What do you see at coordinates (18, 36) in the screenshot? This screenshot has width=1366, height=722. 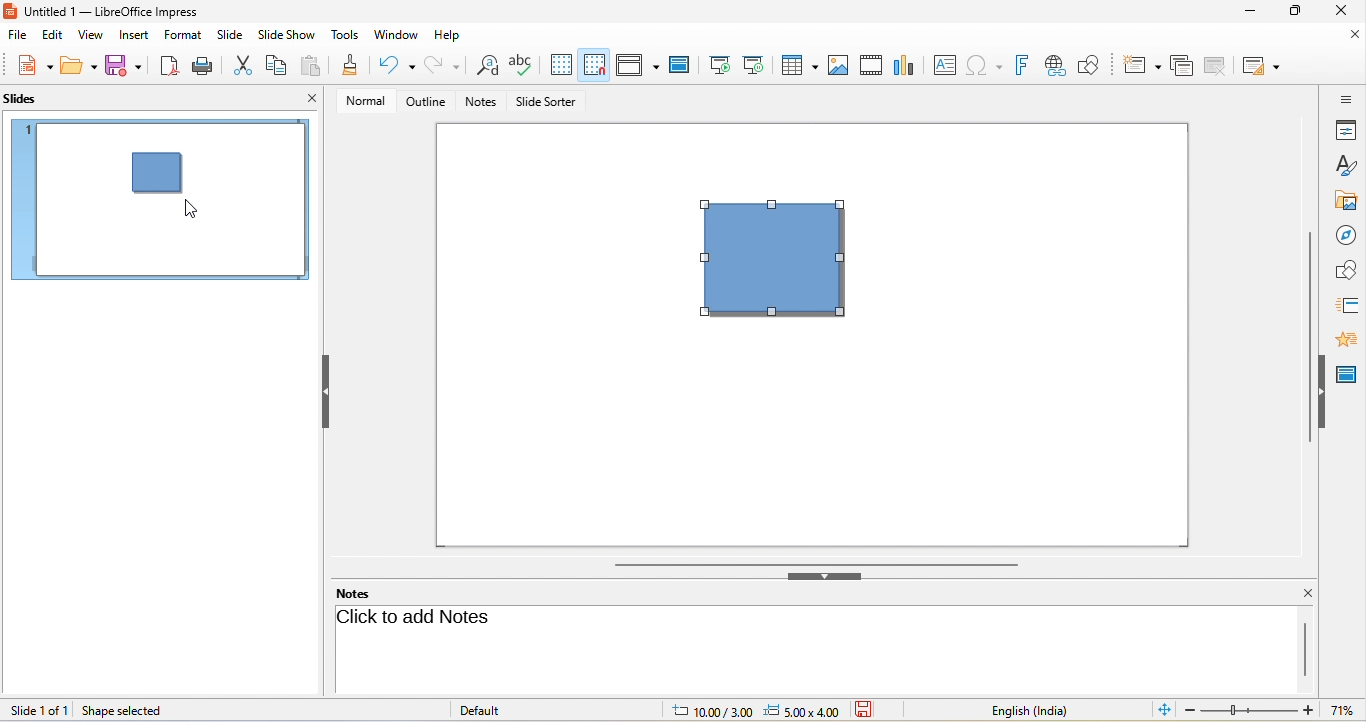 I see `file` at bounding box center [18, 36].